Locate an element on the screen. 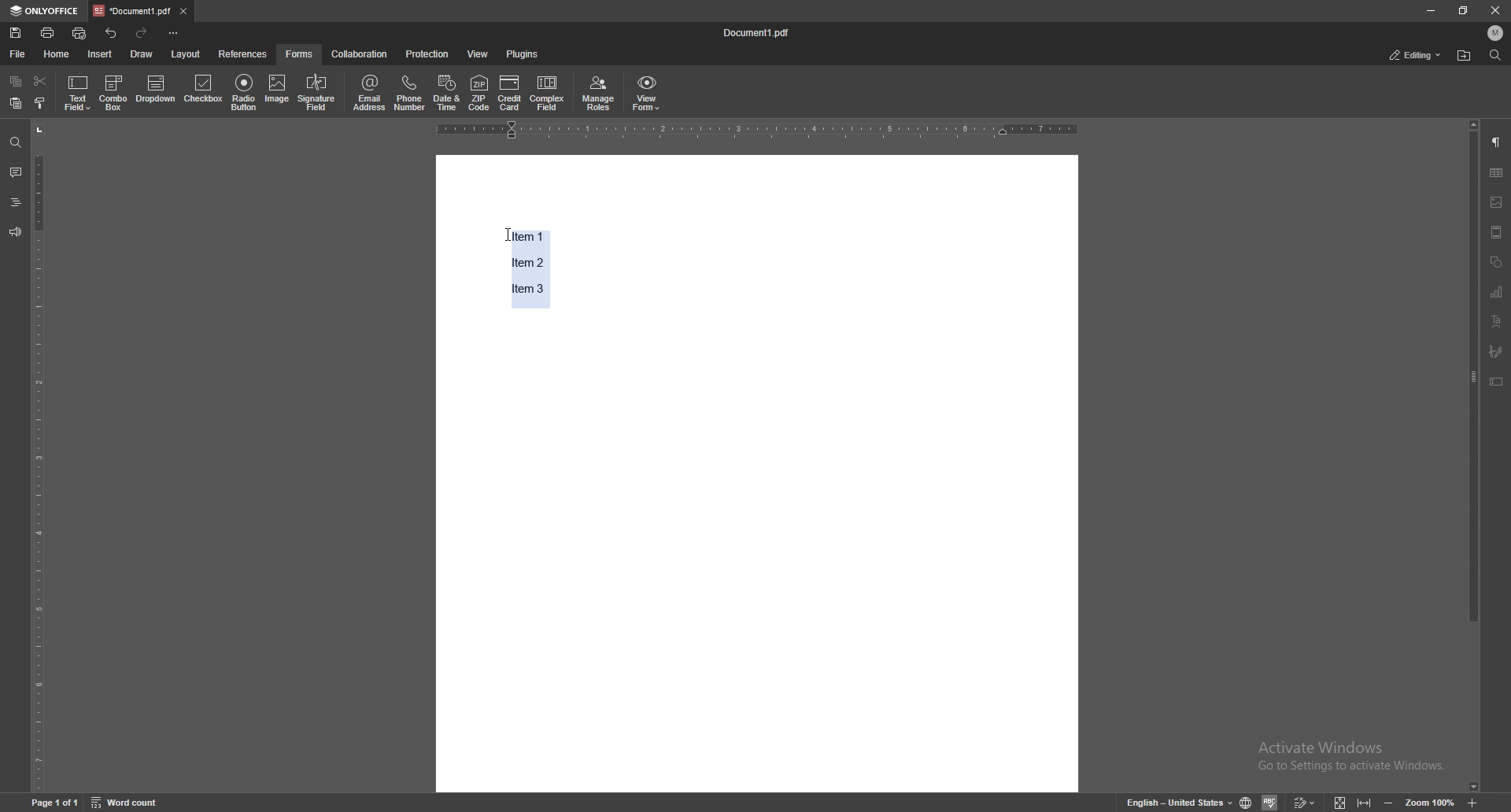 The image size is (1511, 812). chart is located at coordinates (1497, 172).